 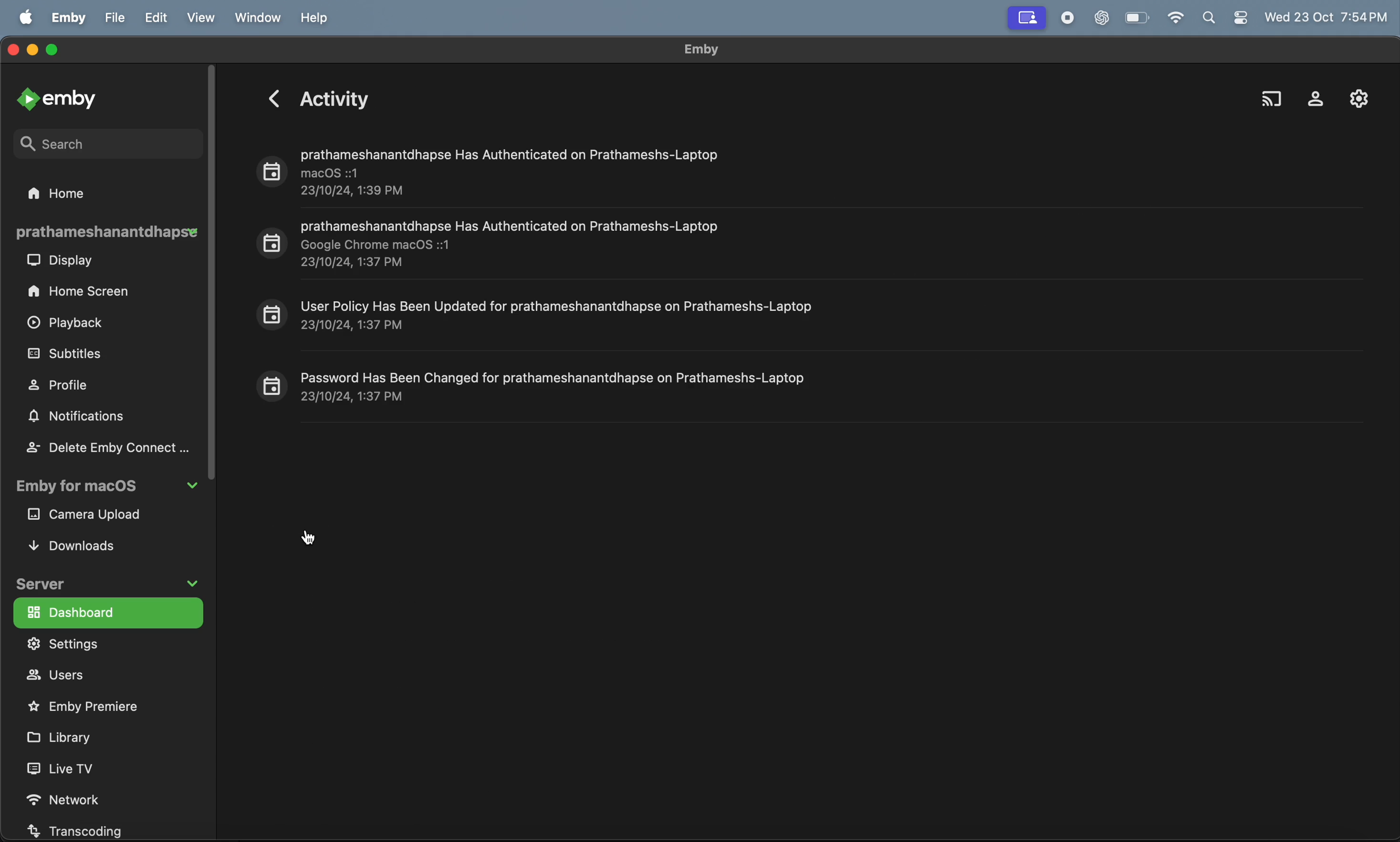 I want to click on downloads, so click(x=84, y=545).